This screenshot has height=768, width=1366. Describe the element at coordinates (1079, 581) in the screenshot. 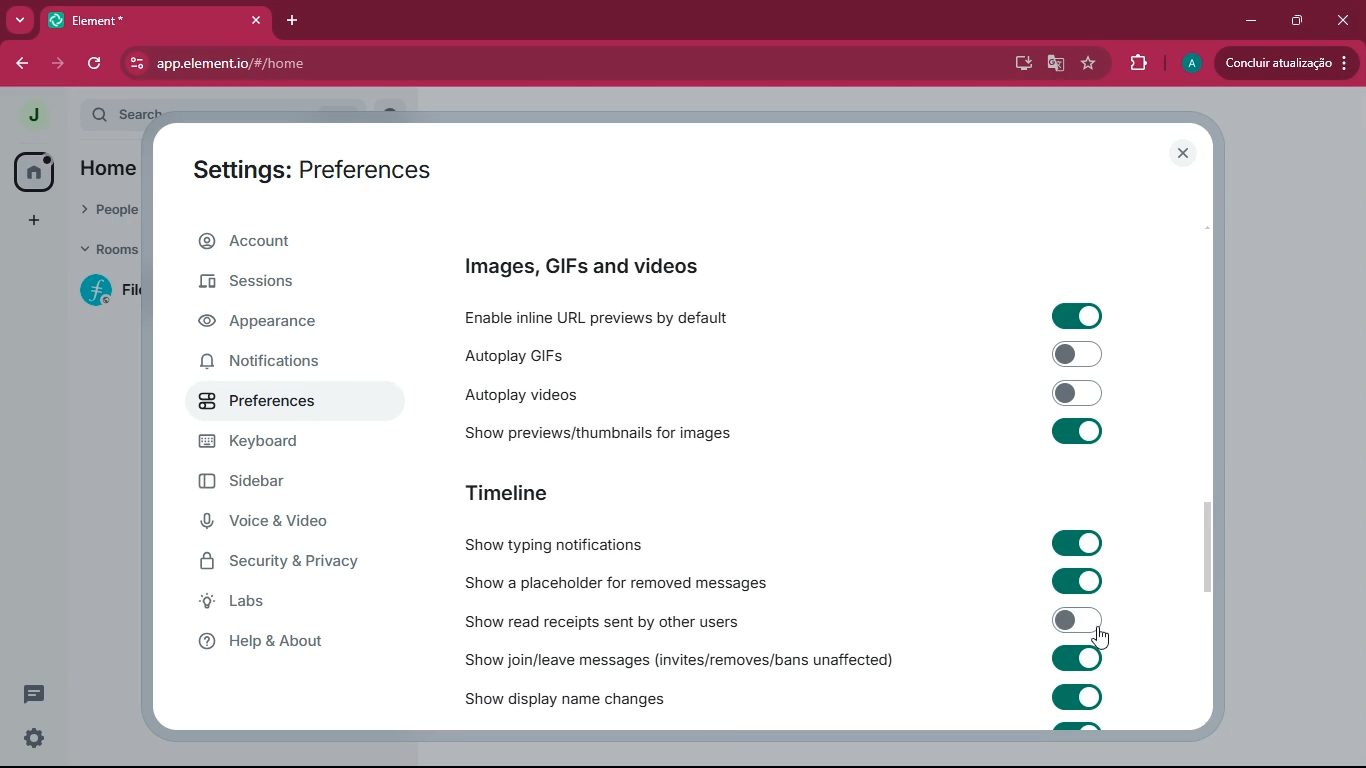

I see `toggle on/off` at that location.